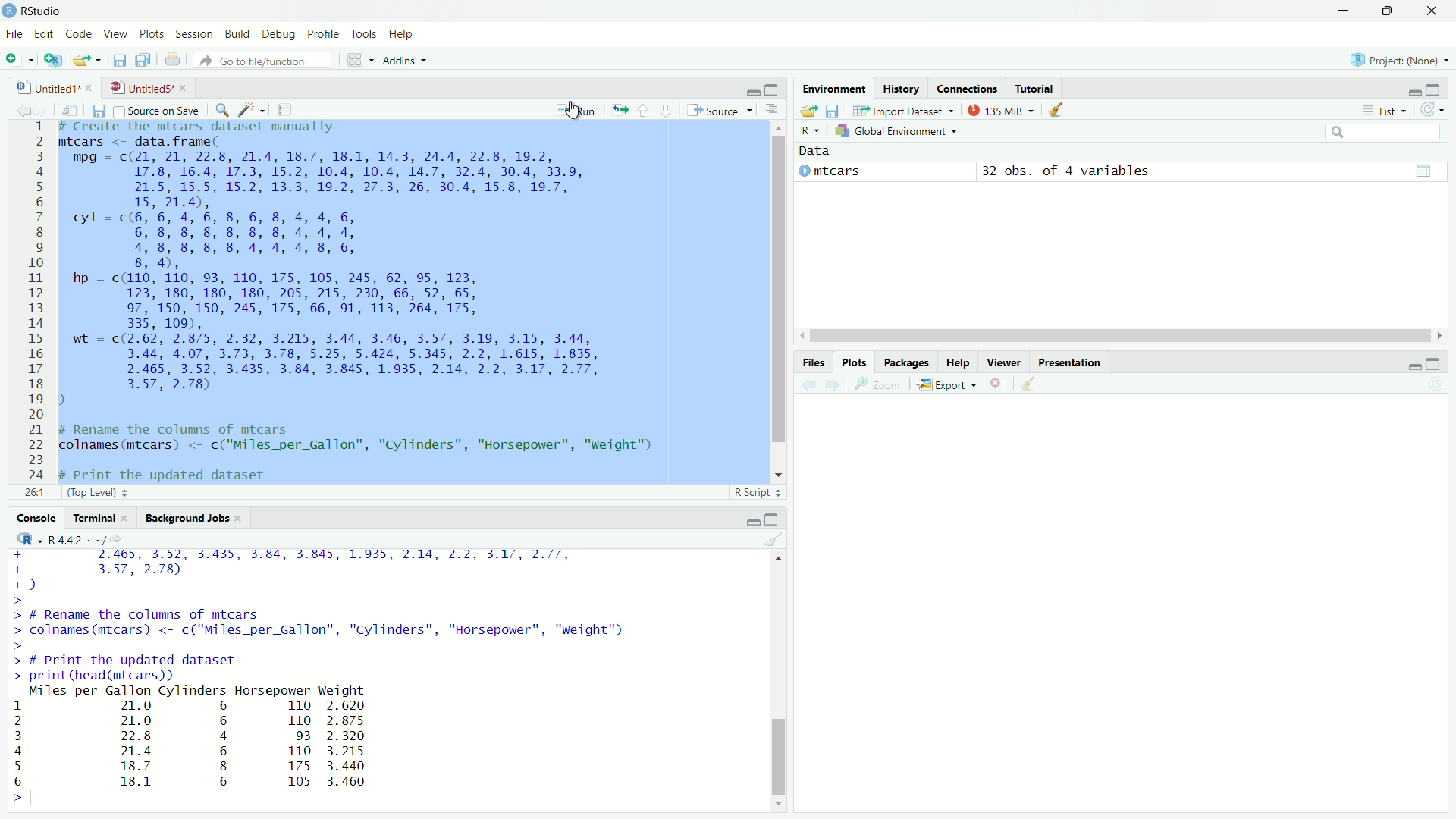  I want to click on scroll bar, so click(770, 300).